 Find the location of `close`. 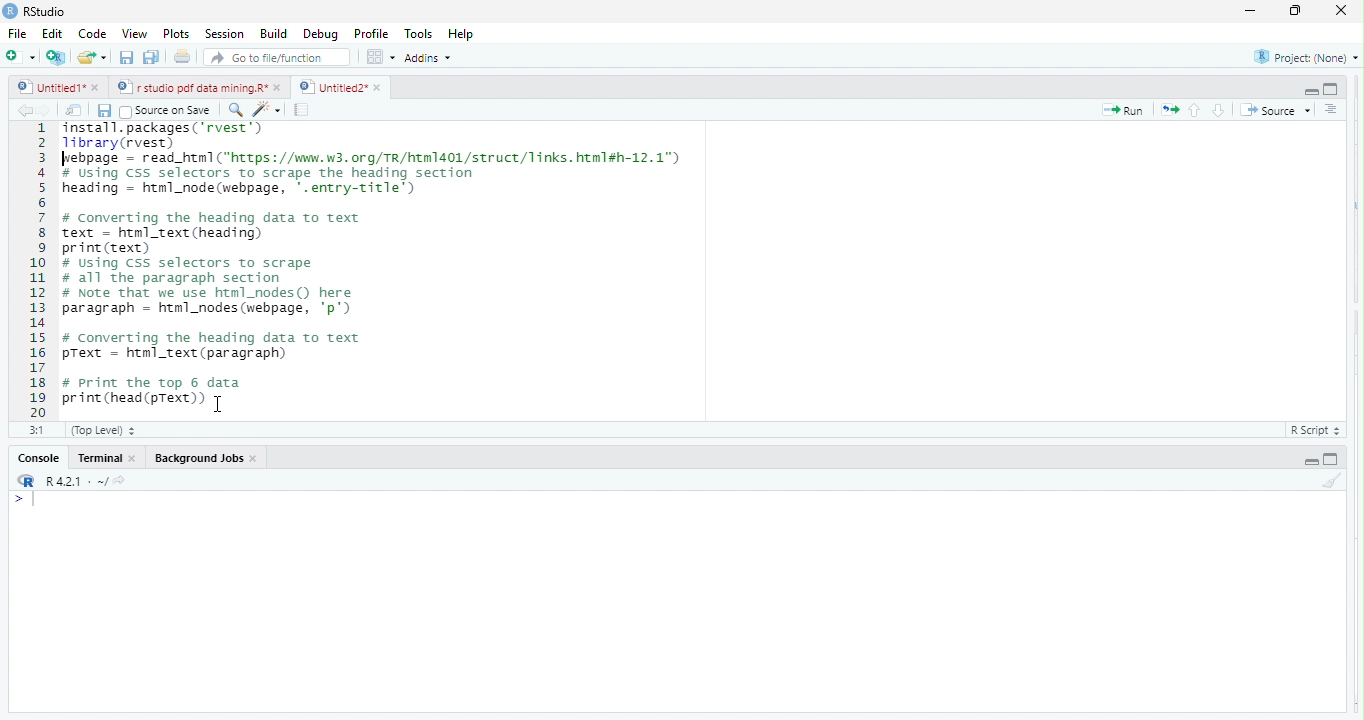

close is located at coordinates (98, 89).